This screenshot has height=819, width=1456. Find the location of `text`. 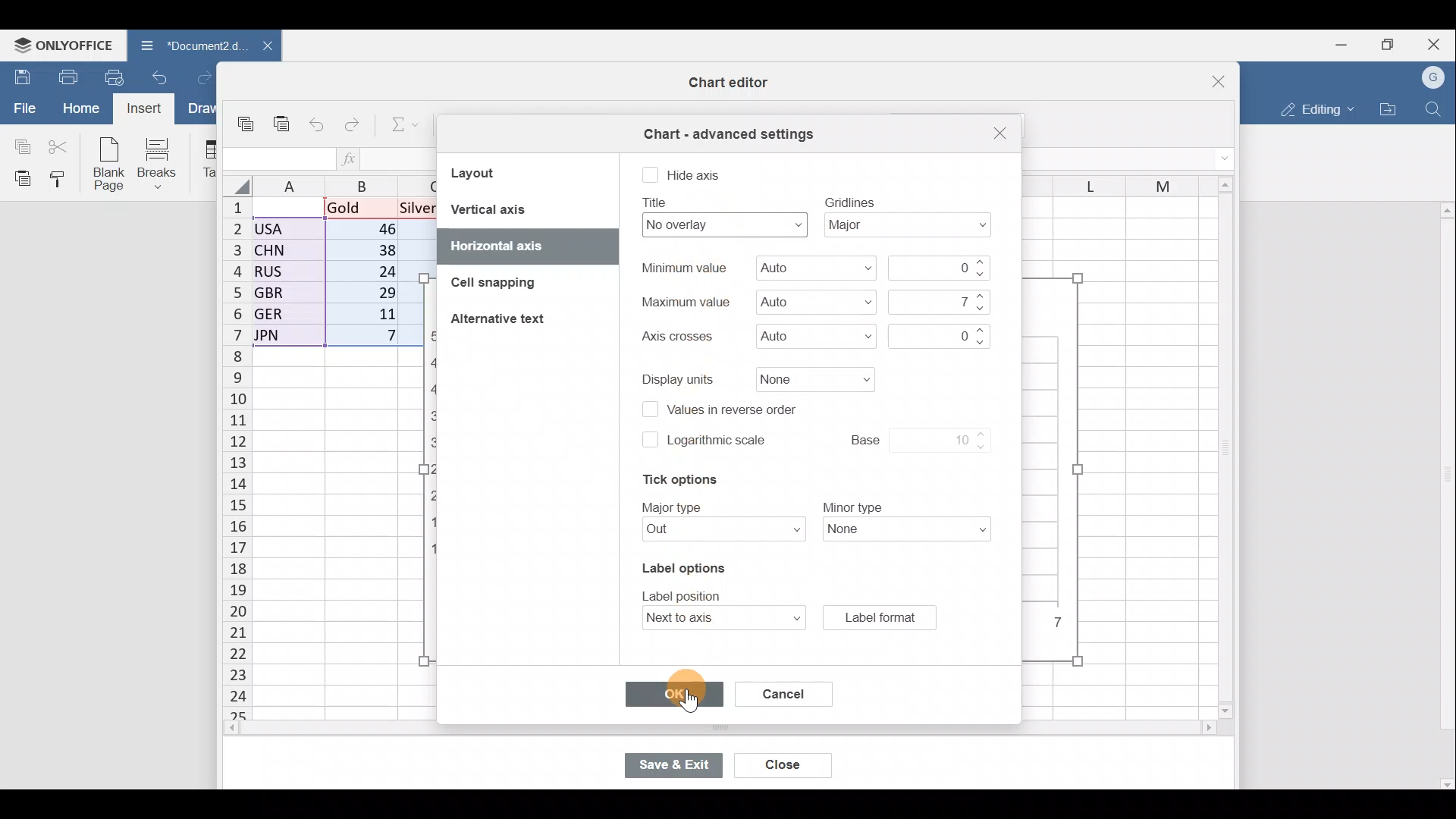

text is located at coordinates (686, 594).